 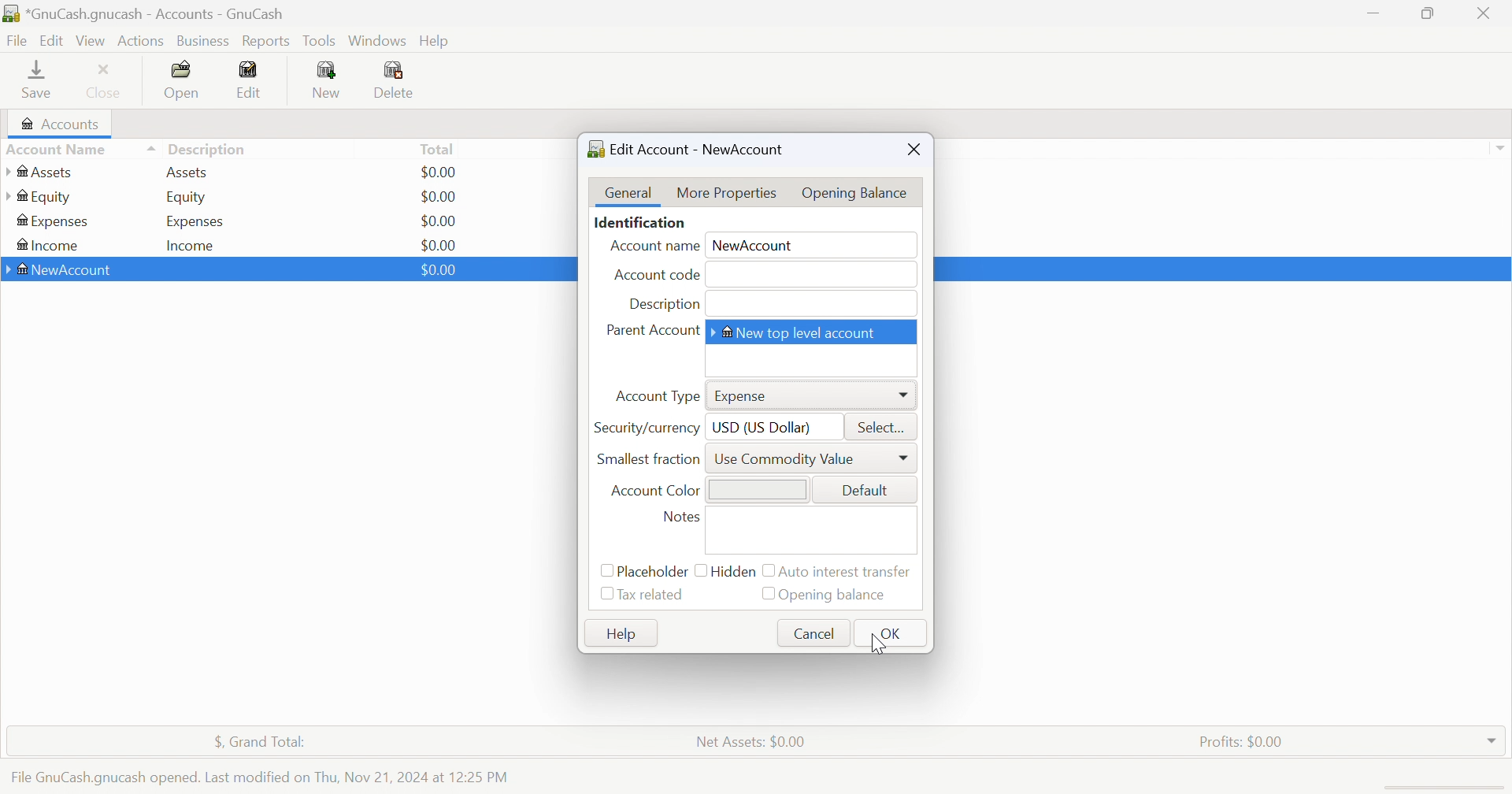 I want to click on $0.00, so click(x=438, y=269).